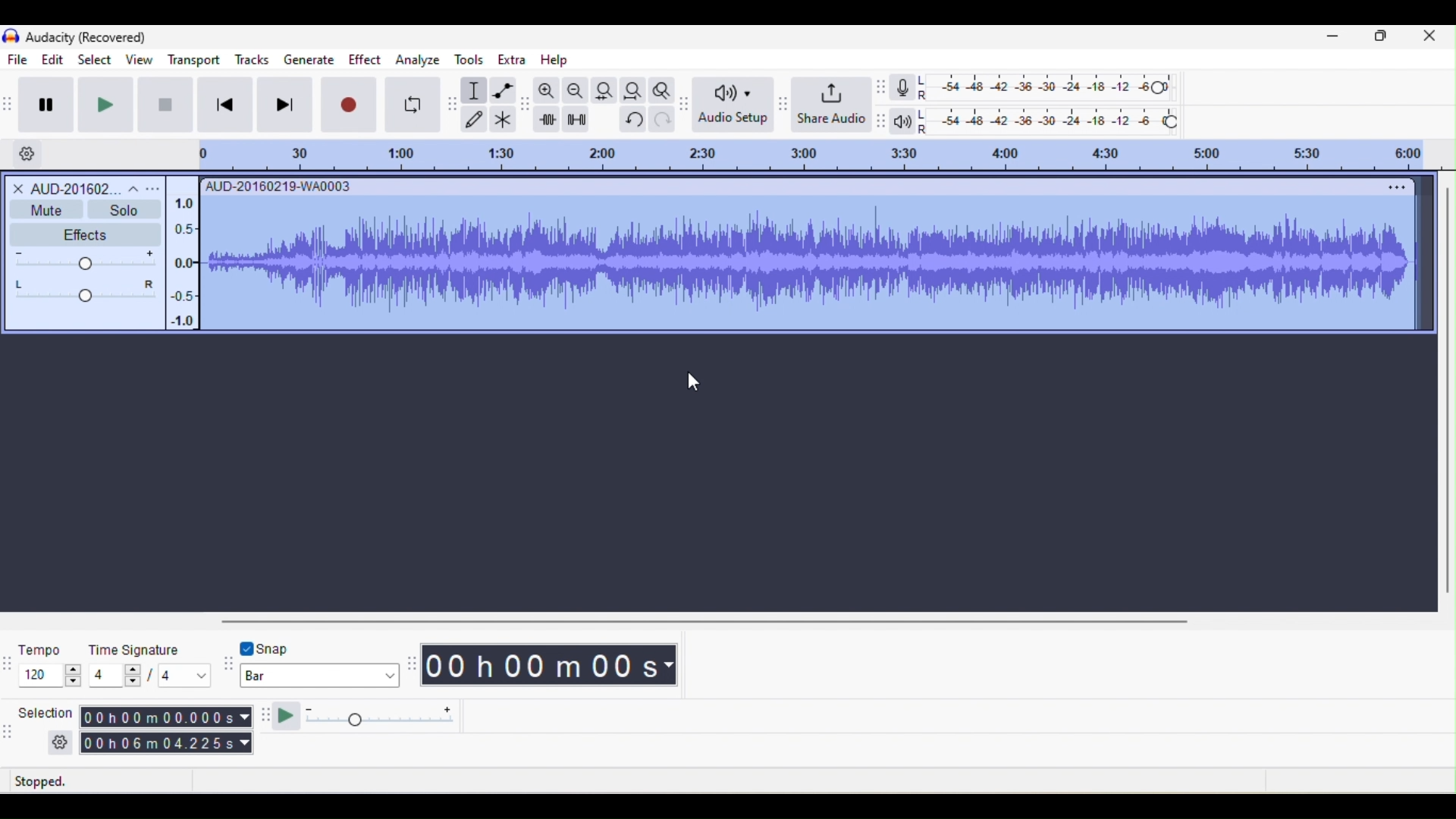 This screenshot has width=1456, height=819. Describe the element at coordinates (476, 118) in the screenshot. I see `draw tool` at that location.